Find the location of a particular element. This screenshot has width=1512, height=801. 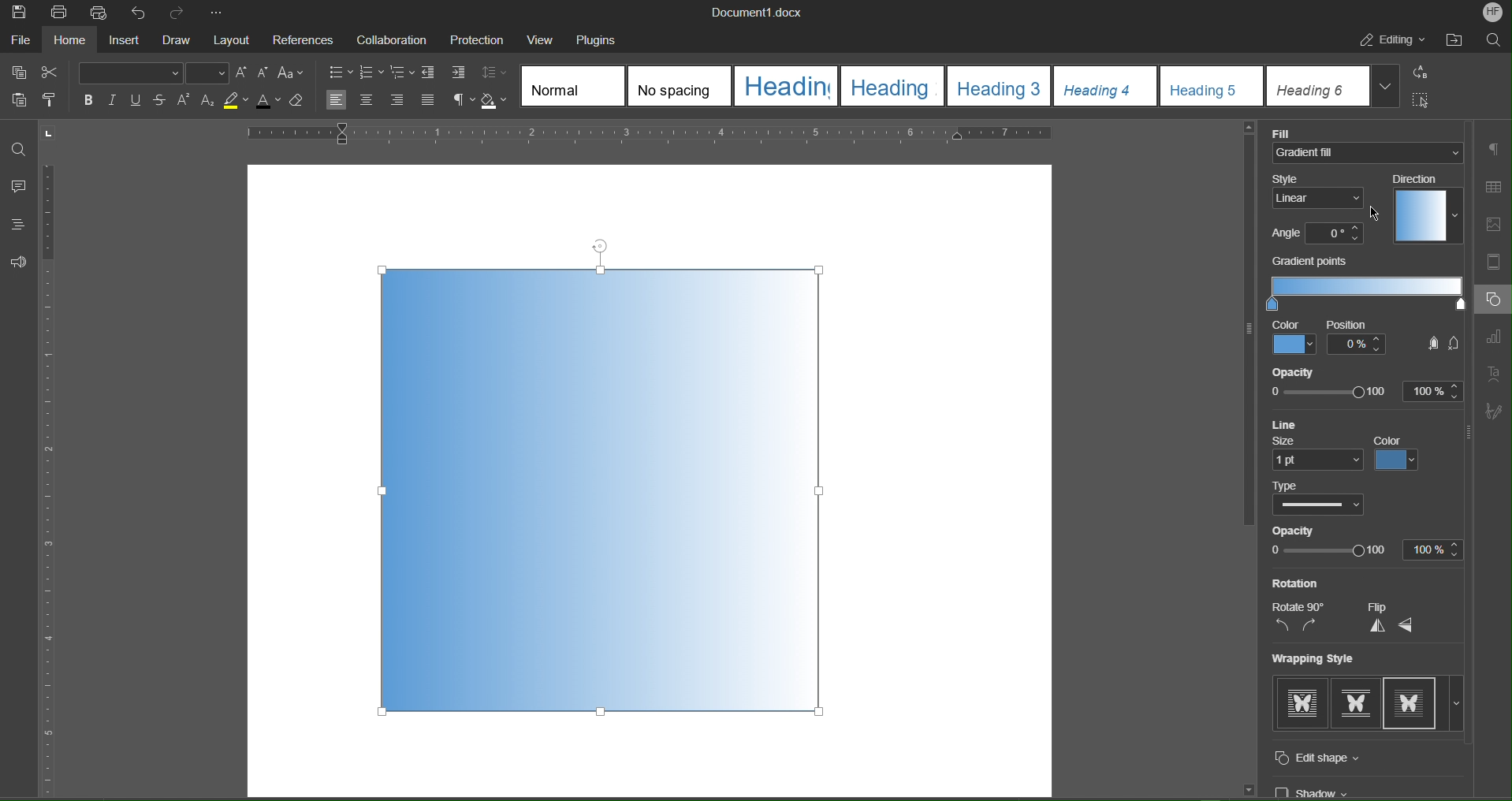

Editing is located at coordinates (1391, 42).